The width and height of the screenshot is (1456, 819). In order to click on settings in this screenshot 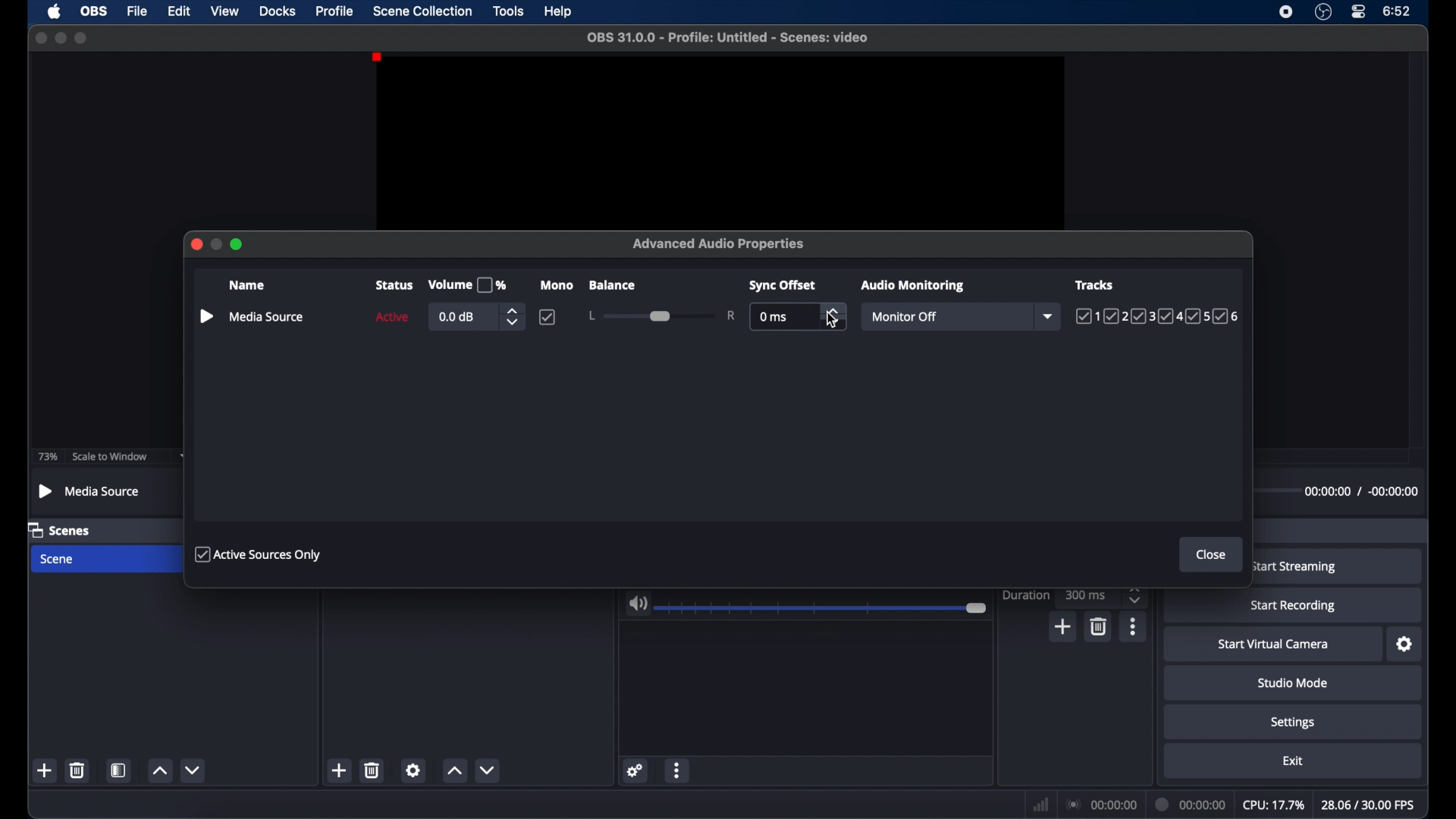, I will do `click(1404, 645)`.